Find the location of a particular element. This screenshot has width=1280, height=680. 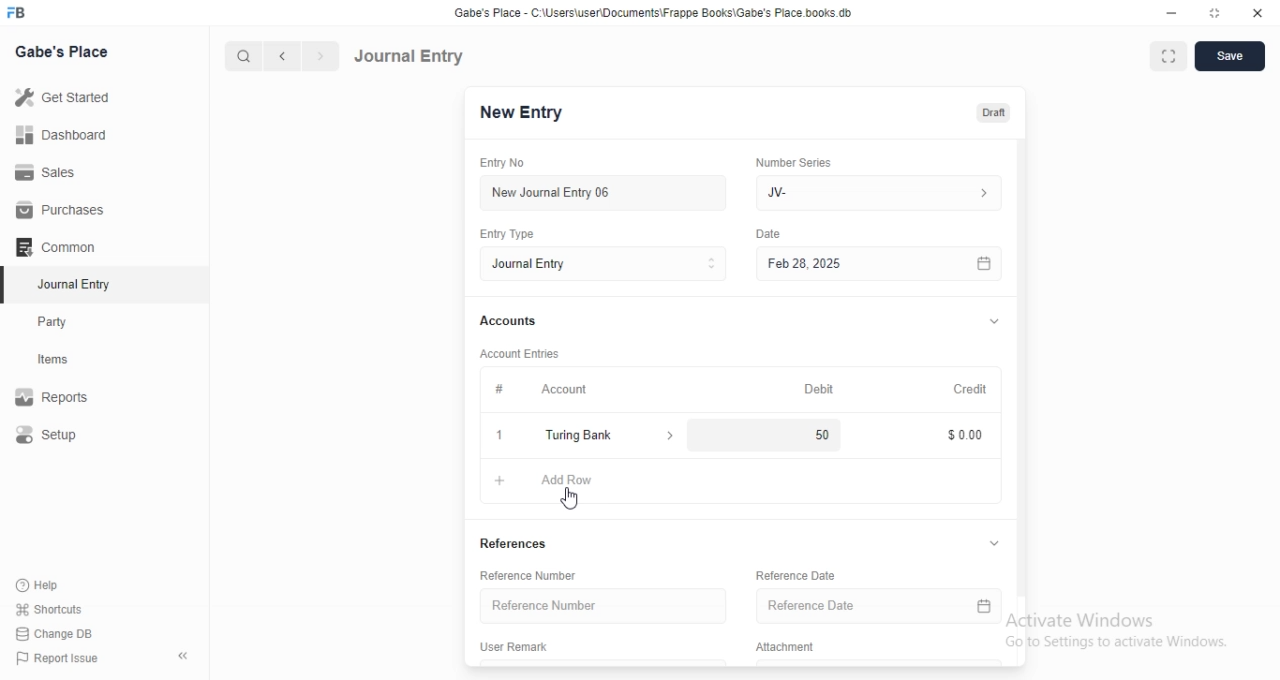

‘Shortcuts is located at coordinates (62, 609).